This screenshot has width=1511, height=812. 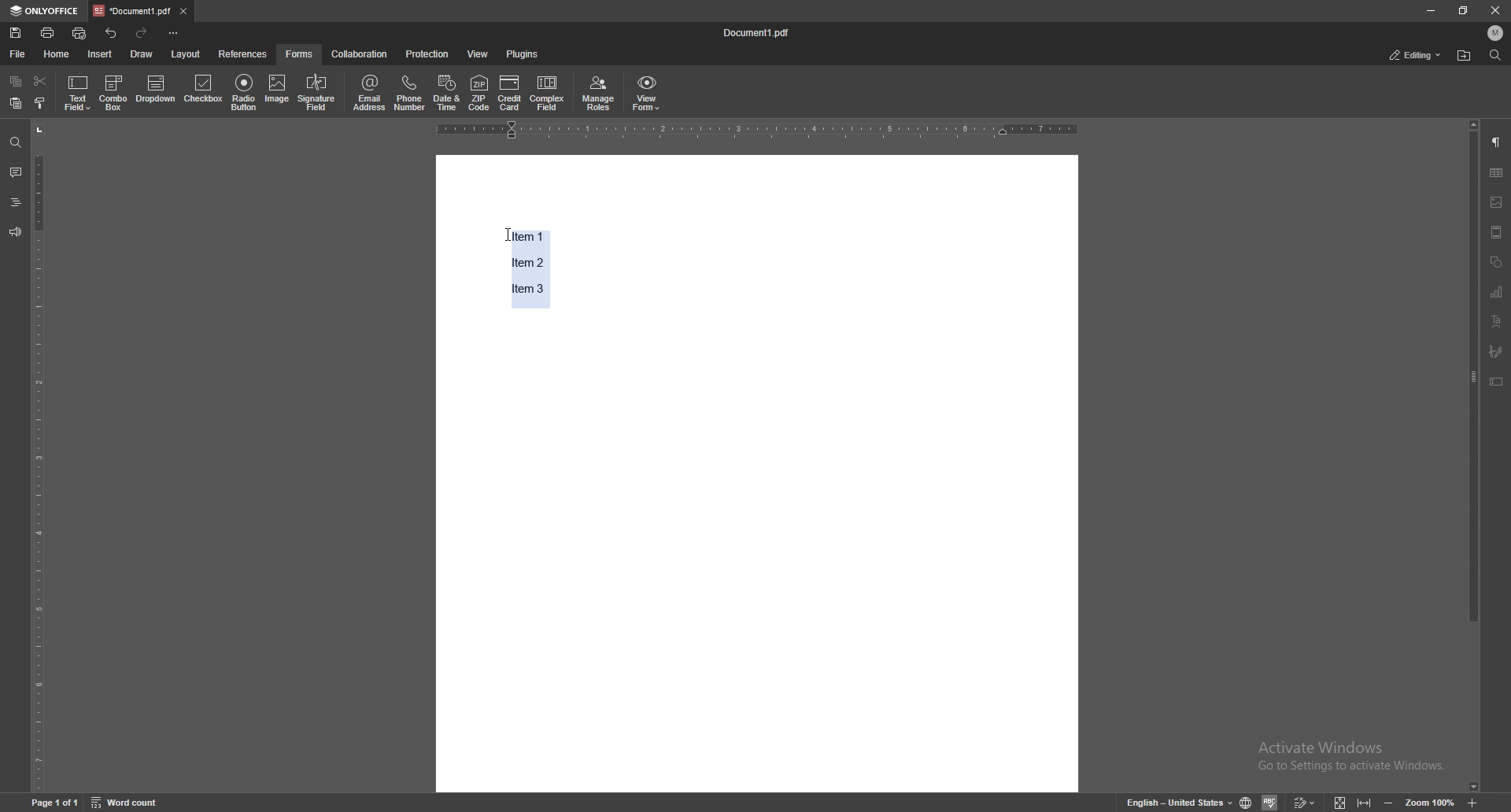 I want to click on save, so click(x=16, y=33).